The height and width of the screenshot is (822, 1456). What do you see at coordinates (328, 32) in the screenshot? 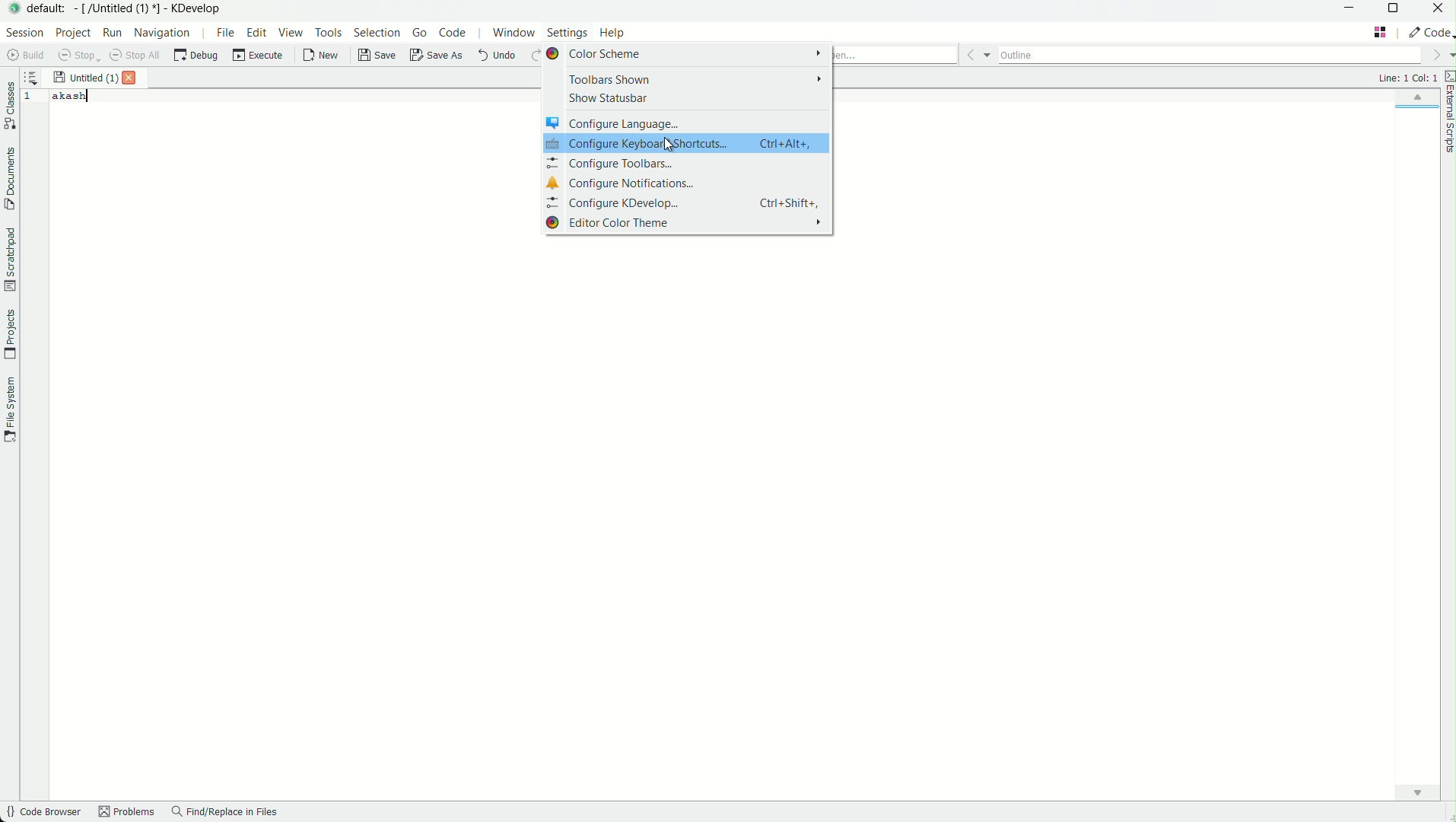
I see `tools menu` at bounding box center [328, 32].